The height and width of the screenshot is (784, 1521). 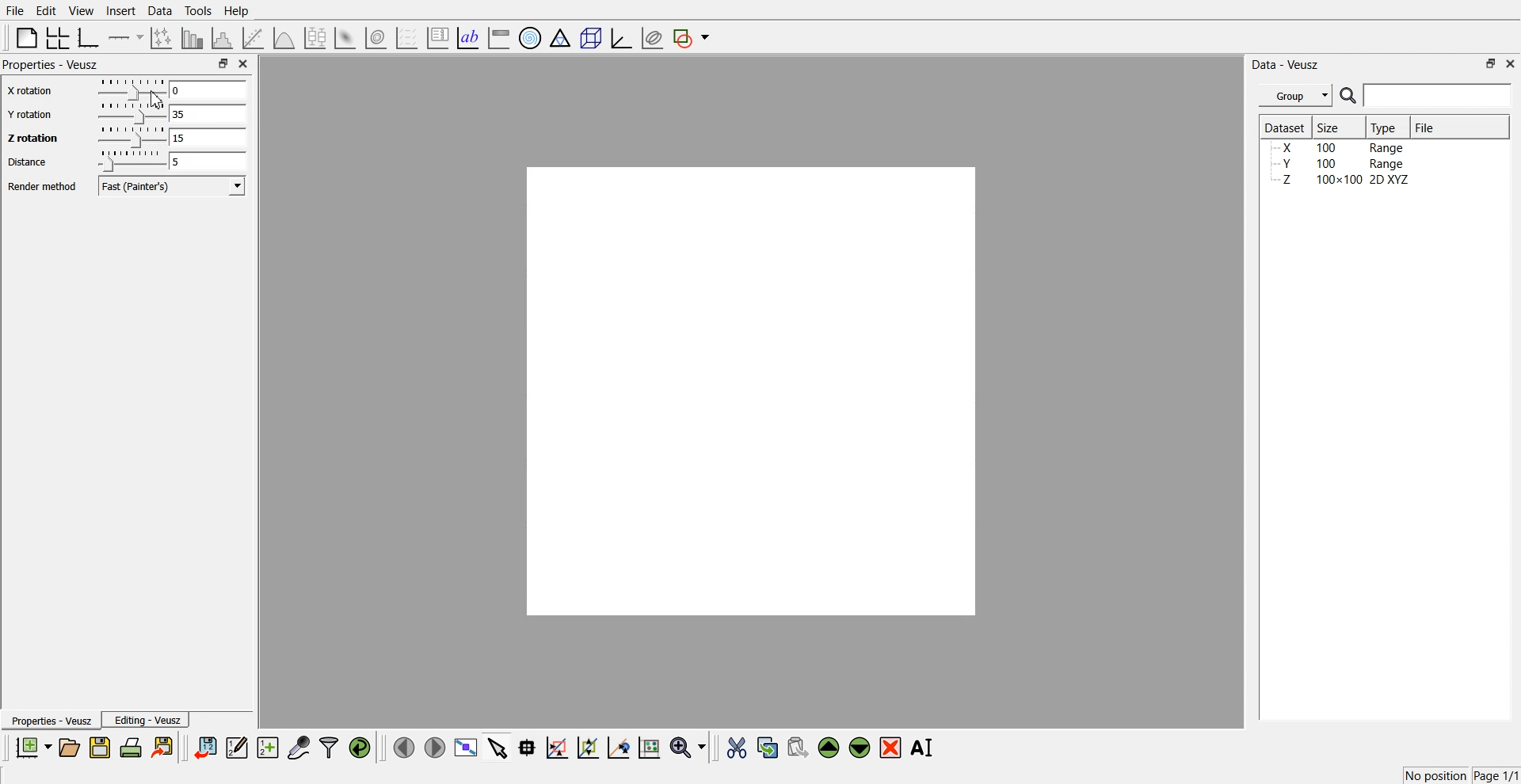 I want to click on 35, so click(x=208, y=113).